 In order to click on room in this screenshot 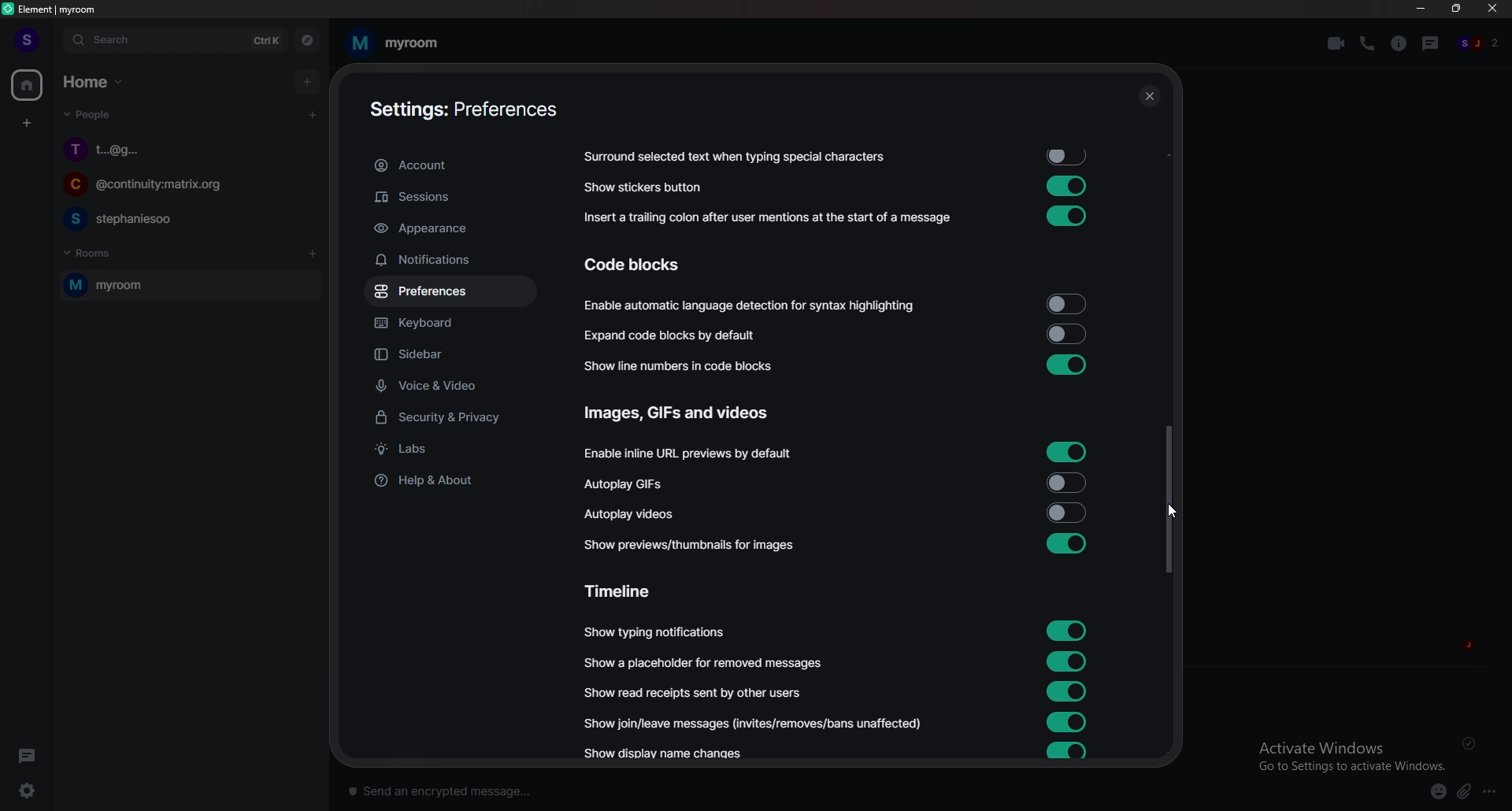, I will do `click(393, 43)`.